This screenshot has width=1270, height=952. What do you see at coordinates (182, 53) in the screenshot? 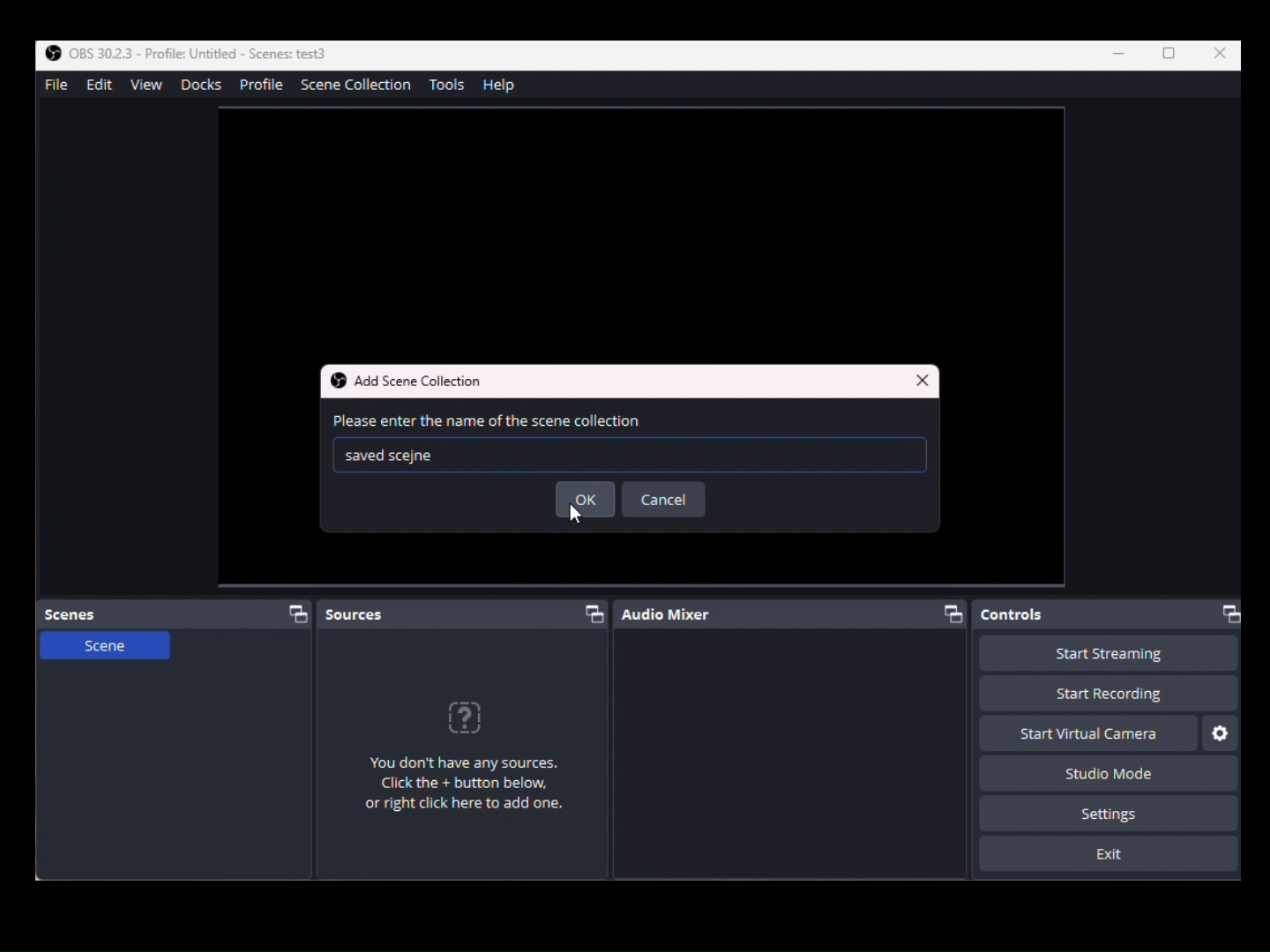
I see `OBS` at bounding box center [182, 53].